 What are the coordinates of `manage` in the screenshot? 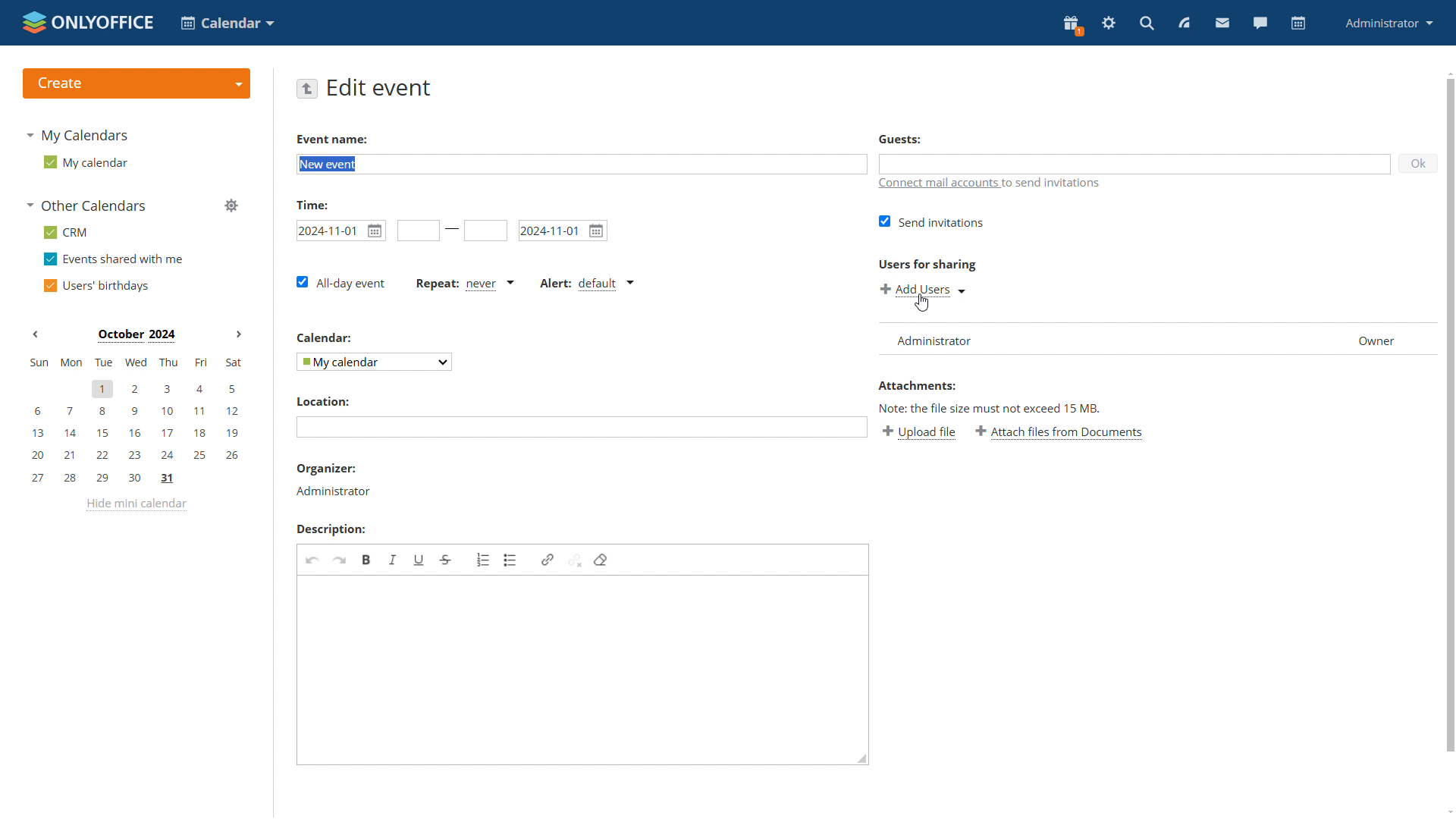 It's located at (234, 207).